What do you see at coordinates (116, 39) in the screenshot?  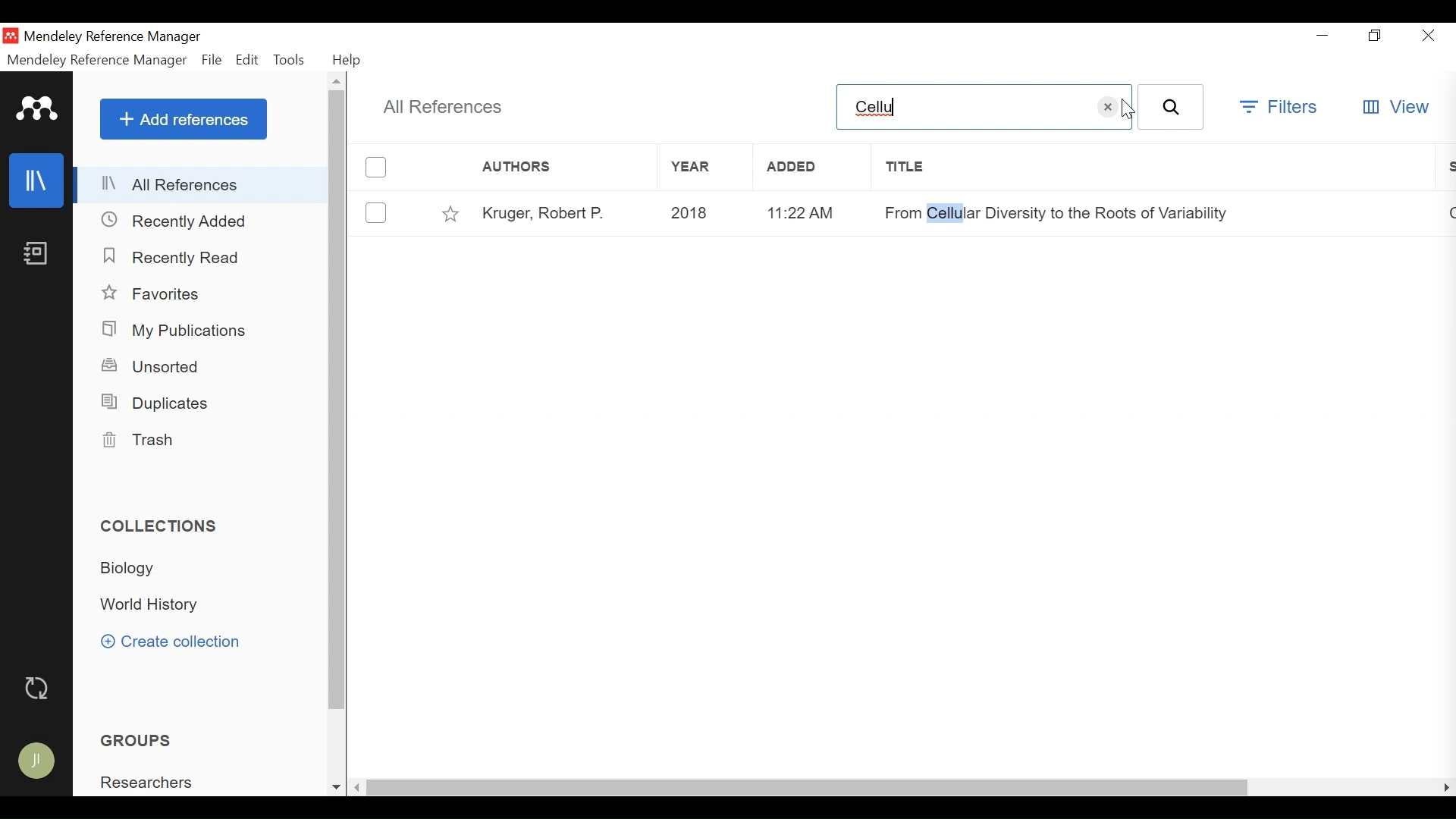 I see `Mendeley Reference Manager` at bounding box center [116, 39].